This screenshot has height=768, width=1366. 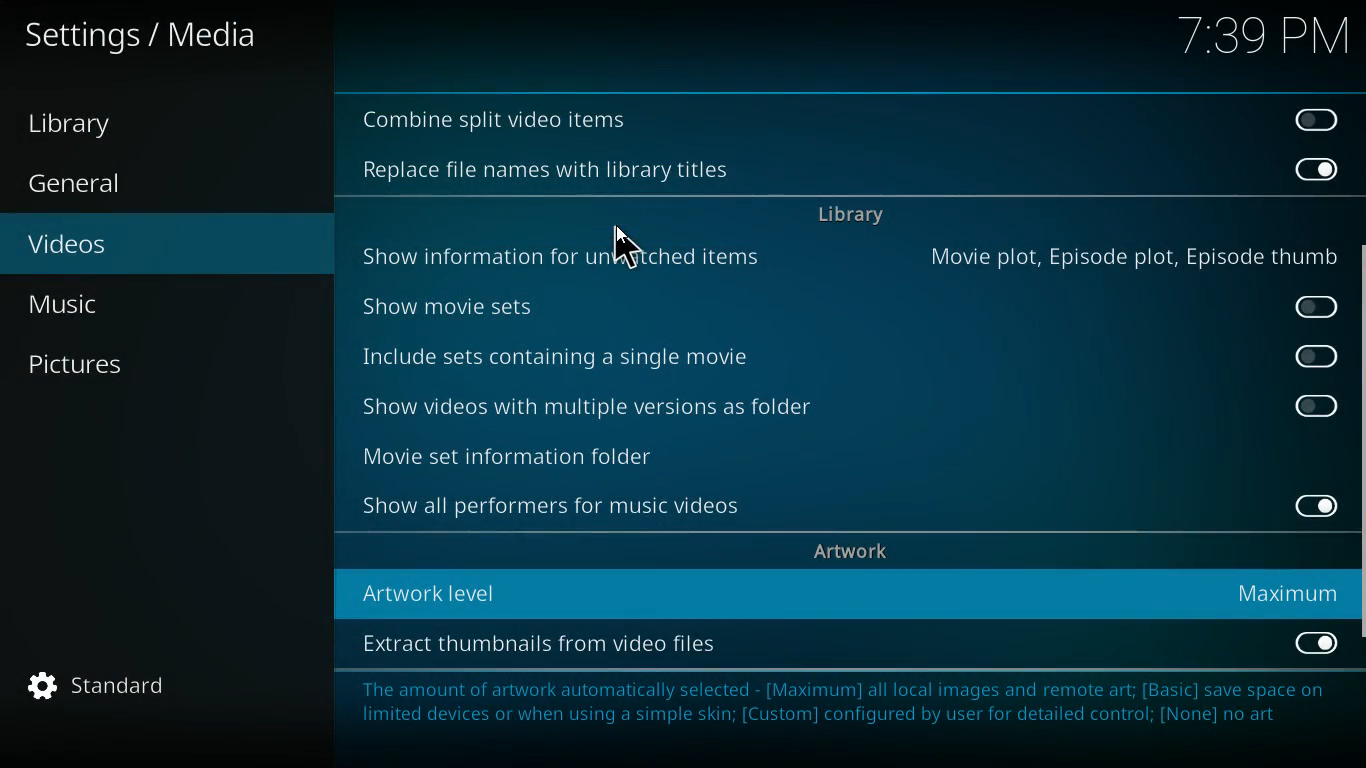 I want to click on Artwork level, so click(x=563, y=589).